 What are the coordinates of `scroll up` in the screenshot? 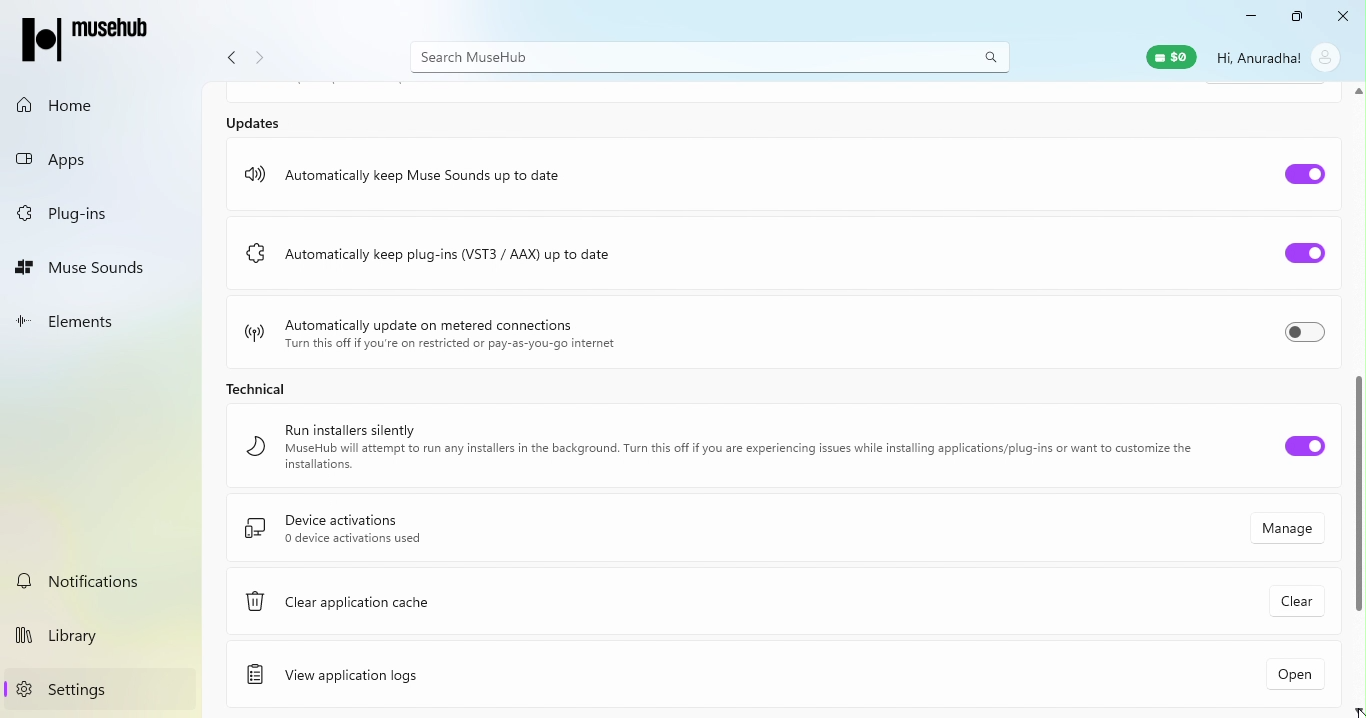 It's located at (1357, 92).